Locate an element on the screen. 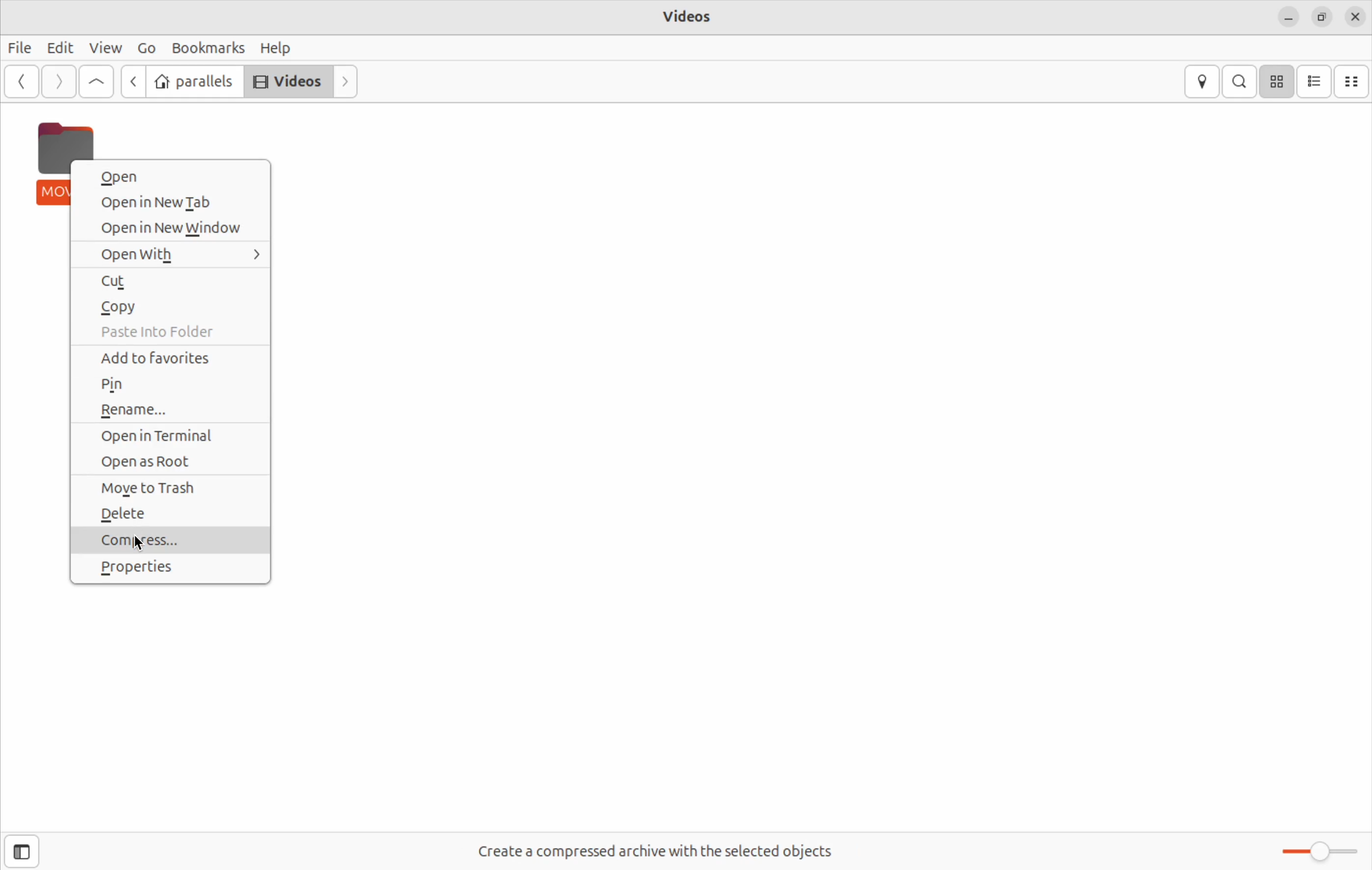 The height and width of the screenshot is (870, 1372). cursor is located at coordinates (76, 169).